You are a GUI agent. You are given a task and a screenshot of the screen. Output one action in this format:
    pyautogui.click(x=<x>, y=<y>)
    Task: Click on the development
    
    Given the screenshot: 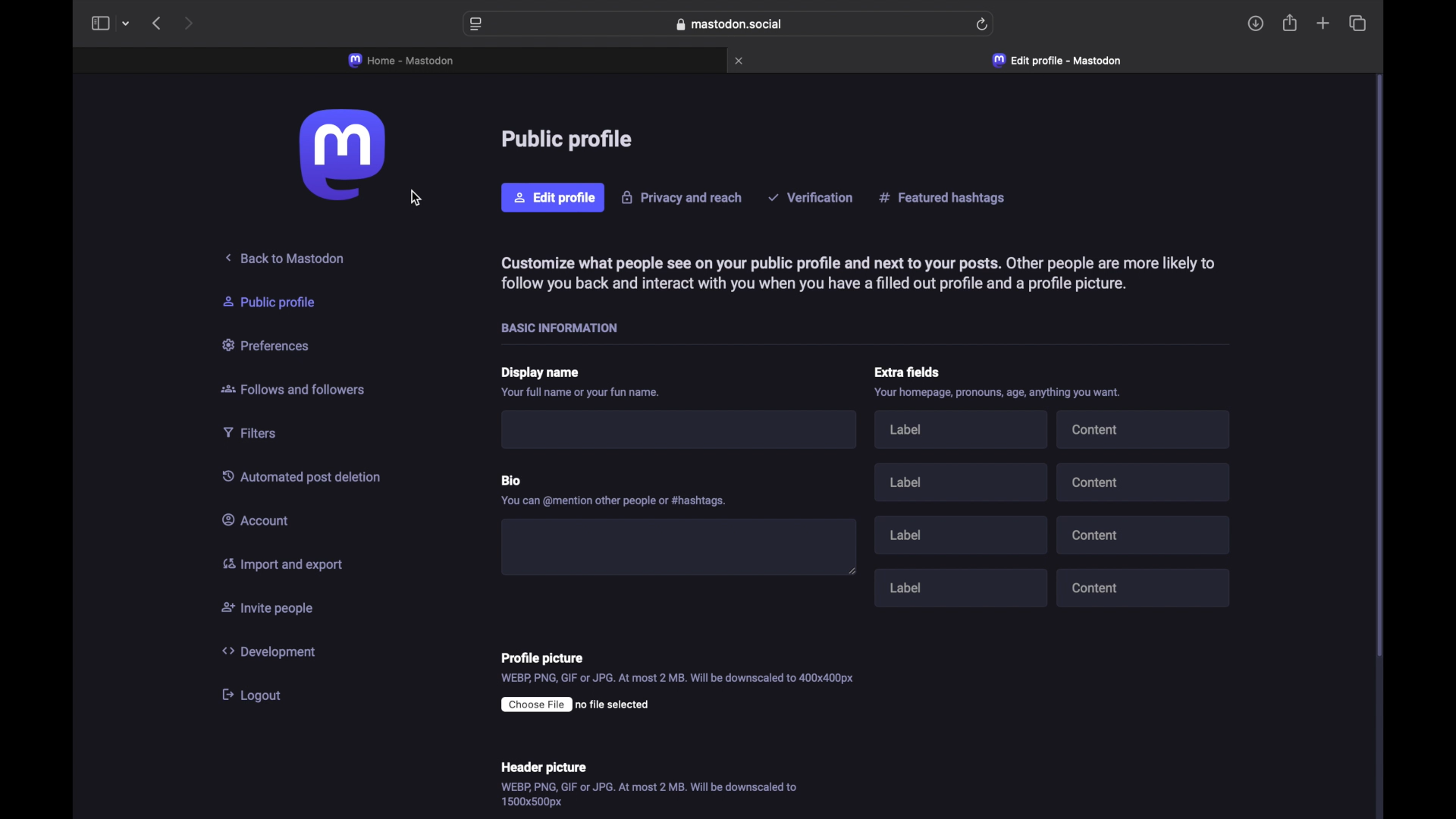 What is the action you would take?
    pyautogui.click(x=269, y=652)
    